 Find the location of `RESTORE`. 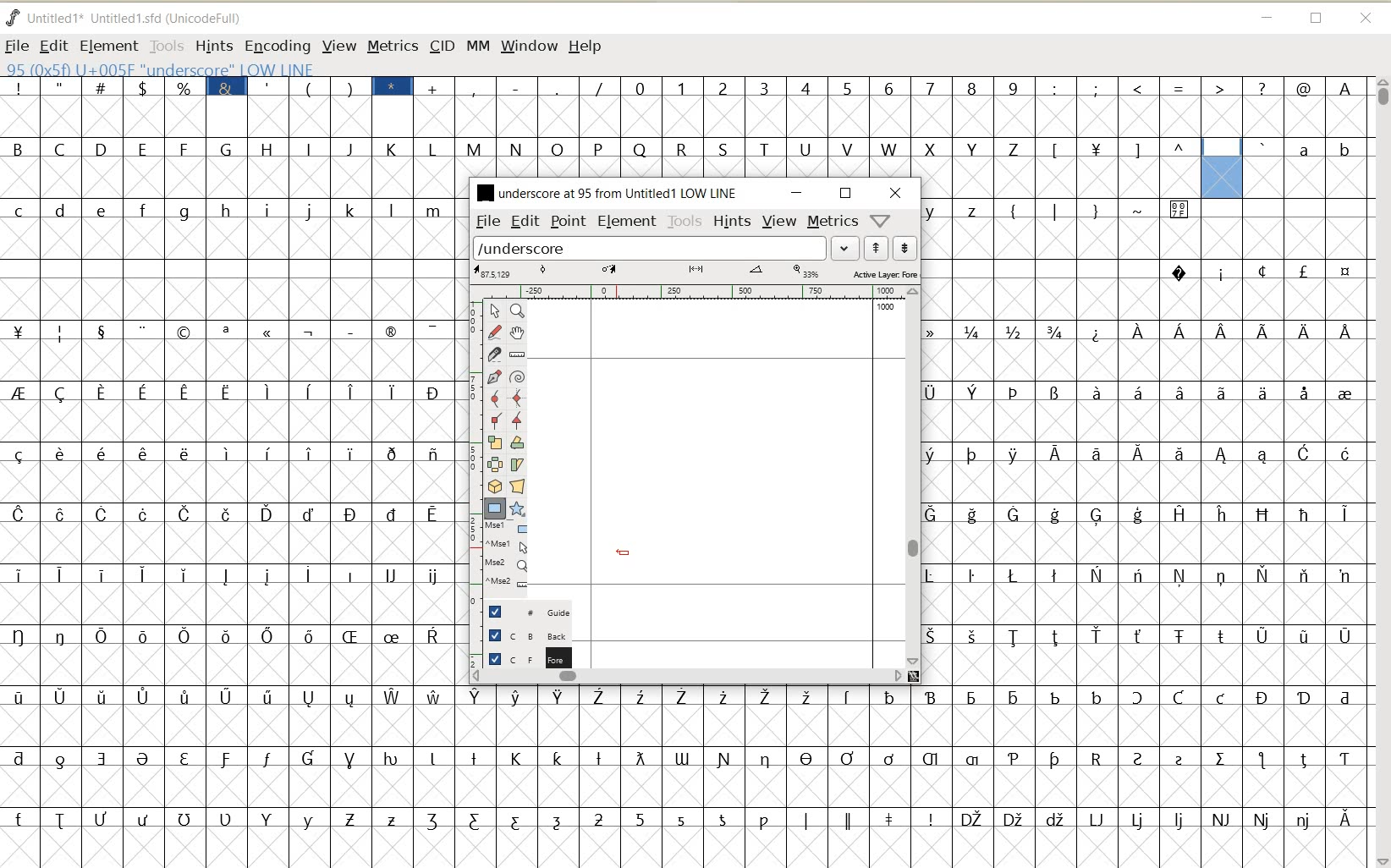

RESTORE is located at coordinates (1317, 19).